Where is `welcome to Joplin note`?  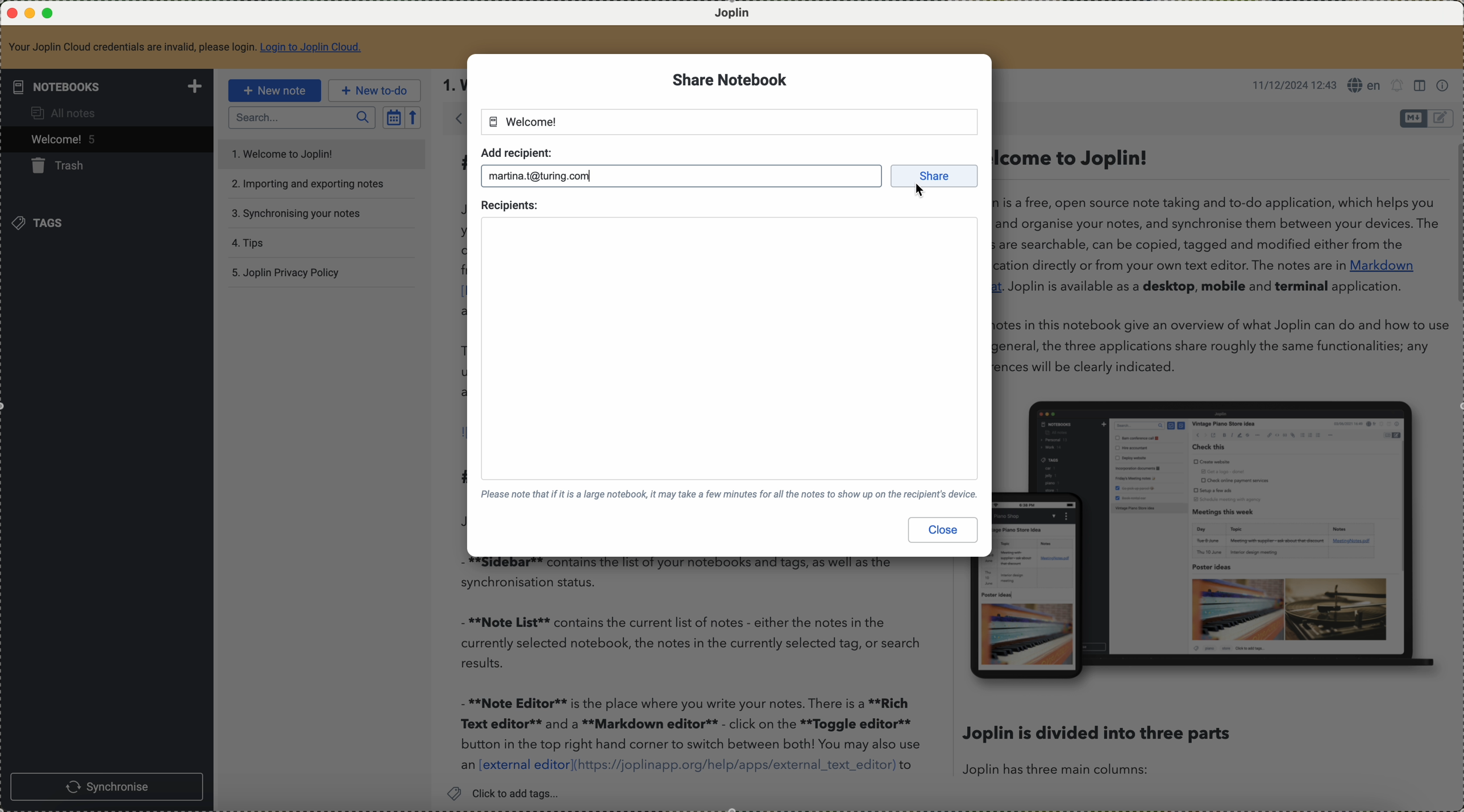 welcome to Joplin note is located at coordinates (319, 152).